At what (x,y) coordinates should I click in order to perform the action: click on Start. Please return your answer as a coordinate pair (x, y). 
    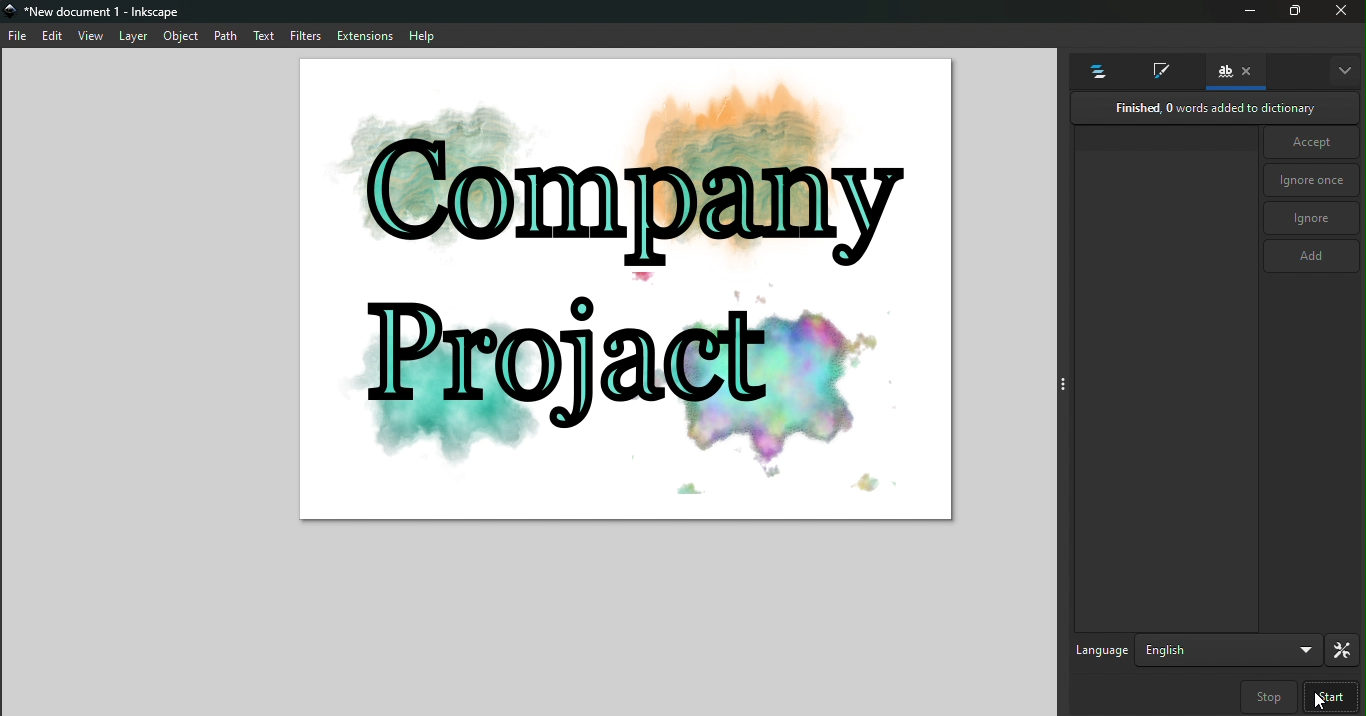
    Looking at the image, I should click on (1331, 695).